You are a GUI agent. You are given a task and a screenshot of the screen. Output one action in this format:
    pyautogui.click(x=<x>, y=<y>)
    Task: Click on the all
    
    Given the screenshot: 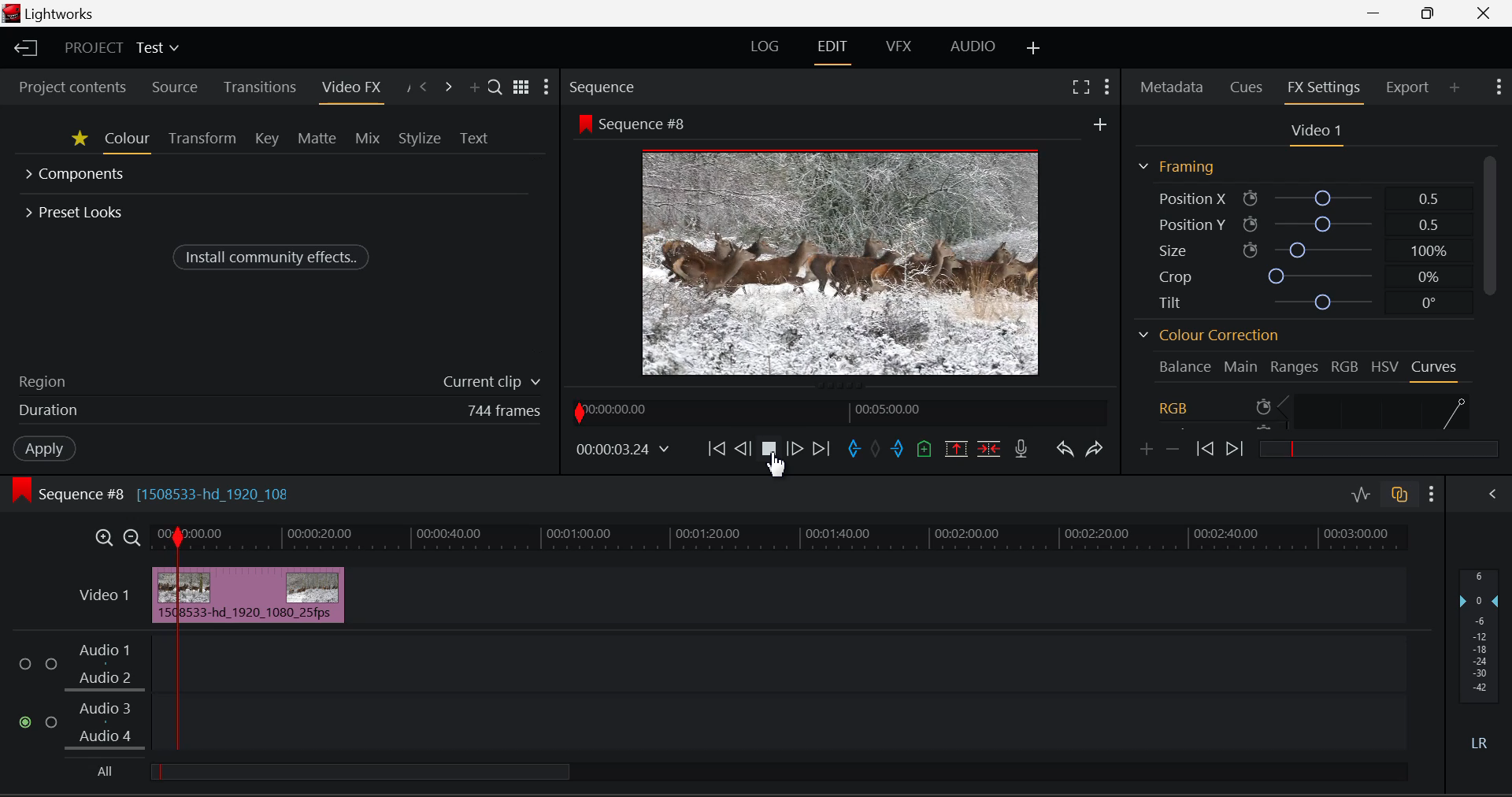 What is the action you would take?
    pyautogui.click(x=417, y=773)
    